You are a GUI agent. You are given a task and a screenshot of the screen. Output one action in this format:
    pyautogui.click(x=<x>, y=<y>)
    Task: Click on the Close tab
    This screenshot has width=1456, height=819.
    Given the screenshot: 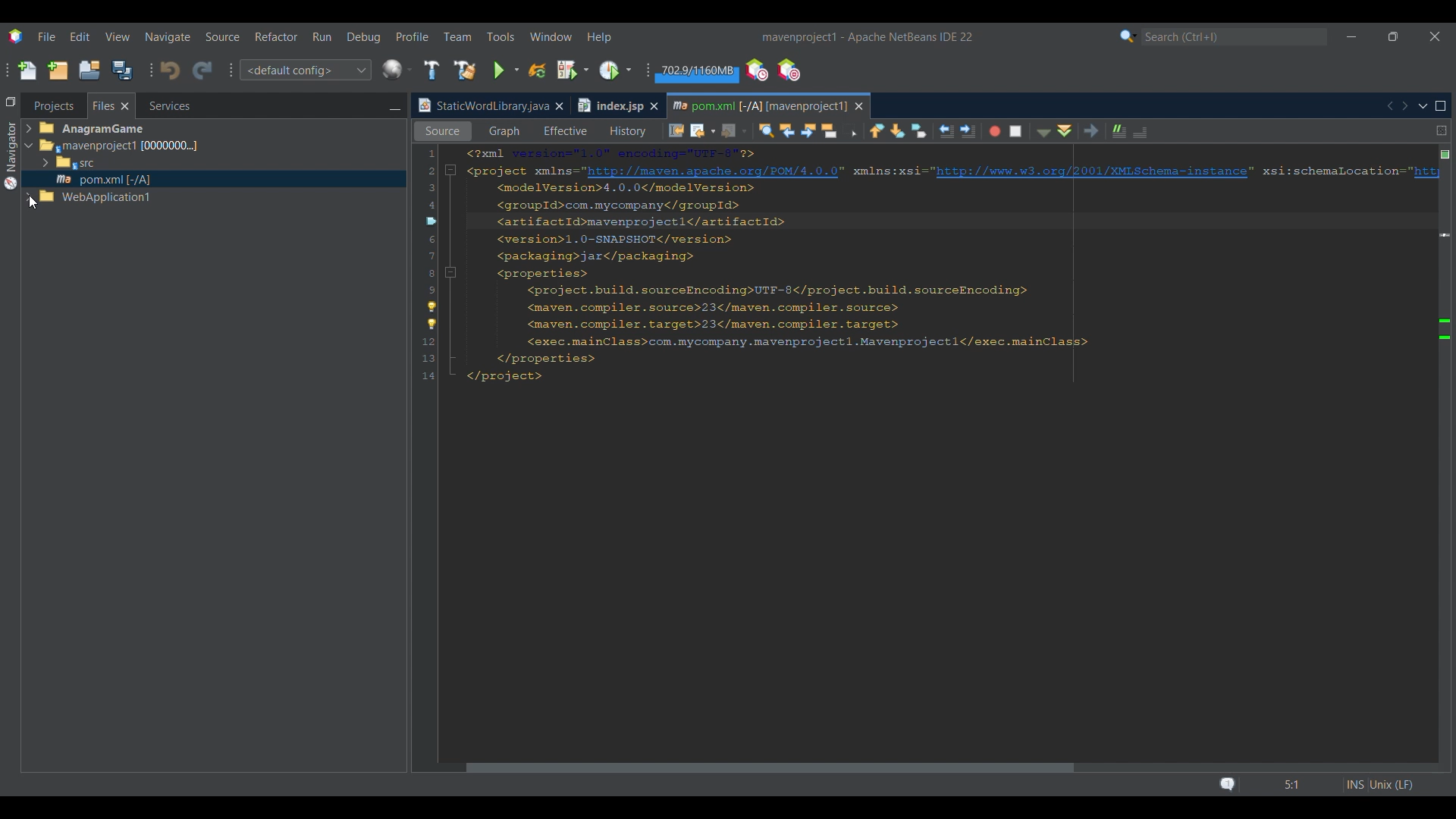 What is the action you would take?
    pyautogui.click(x=859, y=106)
    